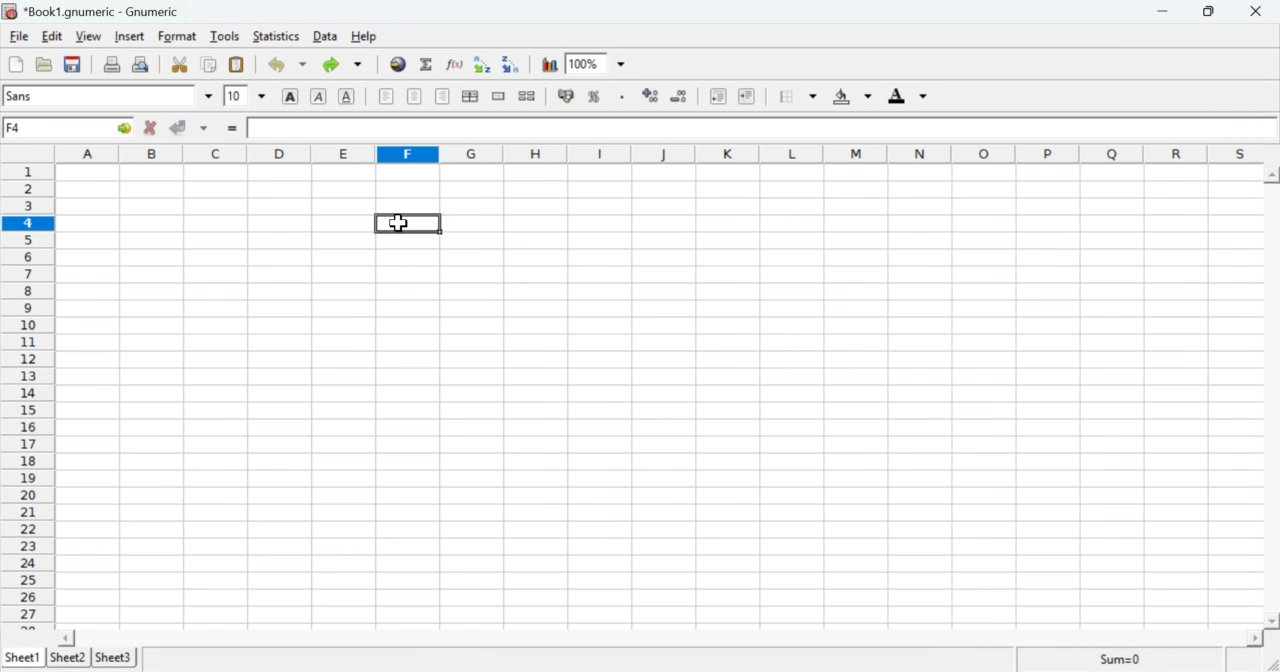  I want to click on Help, so click(363, 36).